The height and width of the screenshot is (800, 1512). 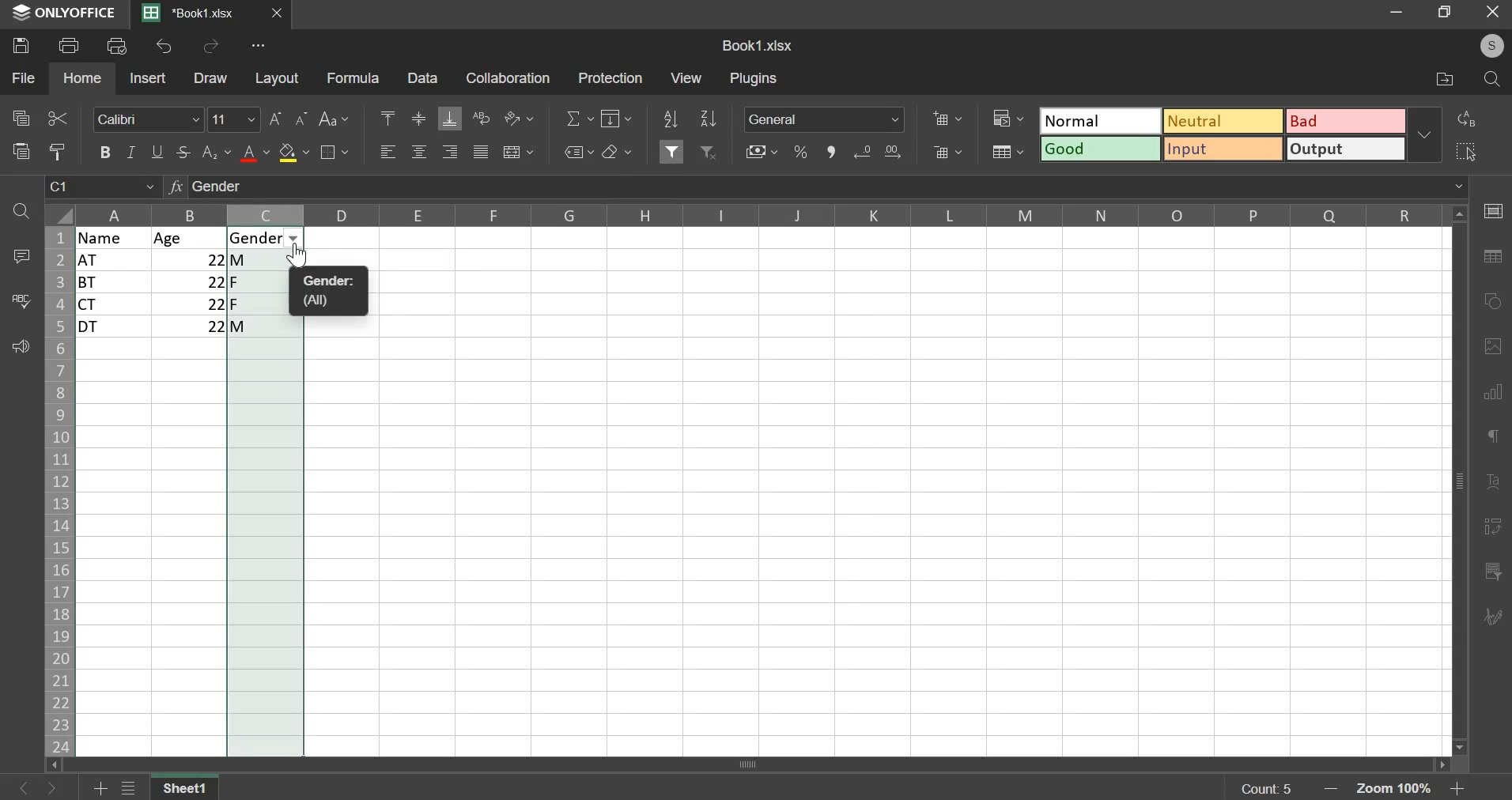 I want to click on list of sheets, so click(x=133, y=787).